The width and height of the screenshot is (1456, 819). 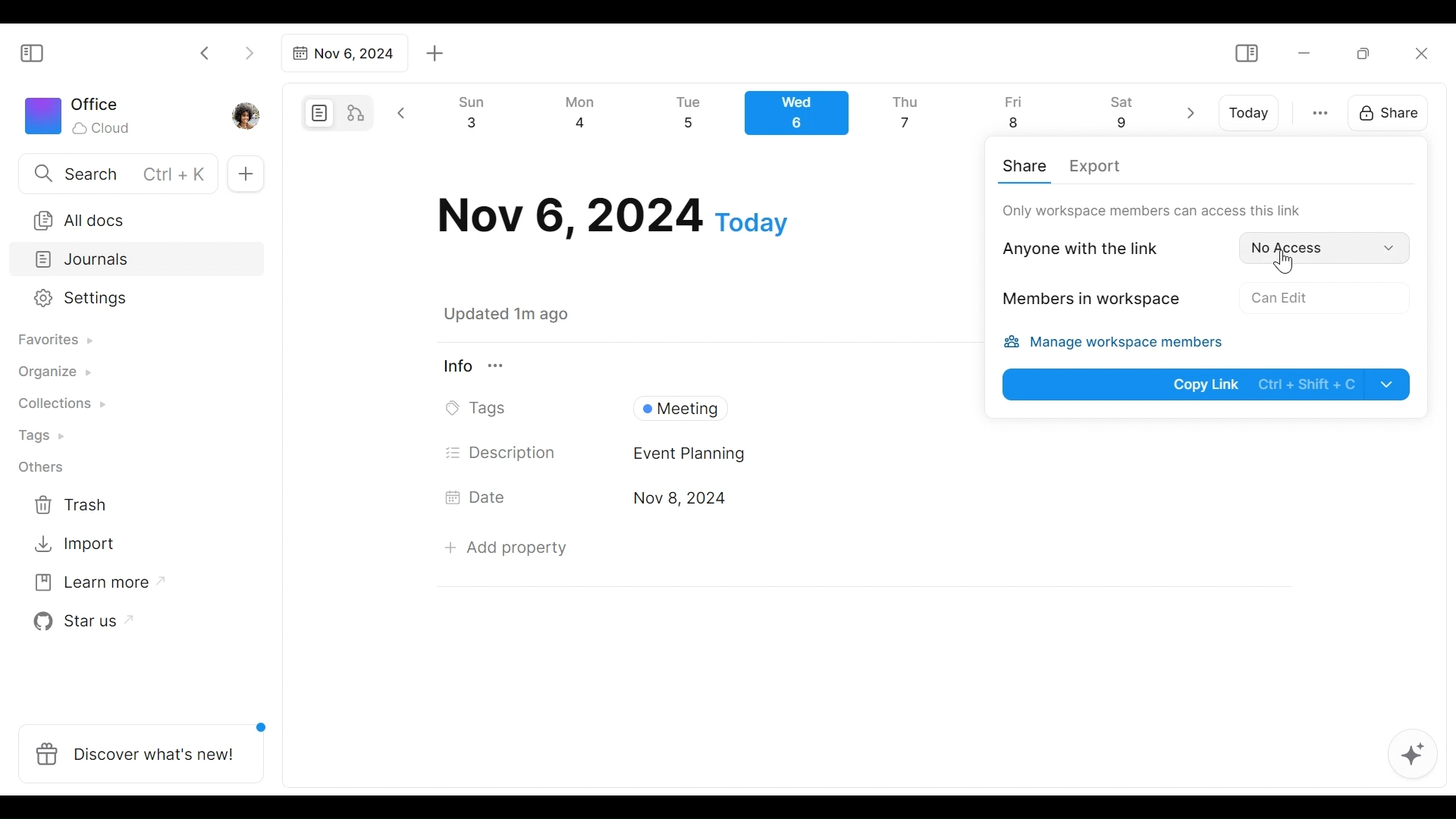 What do you see at coordinates (131, 218) in the screenshot?
I see `All documents` at bounding box center [131, 218].